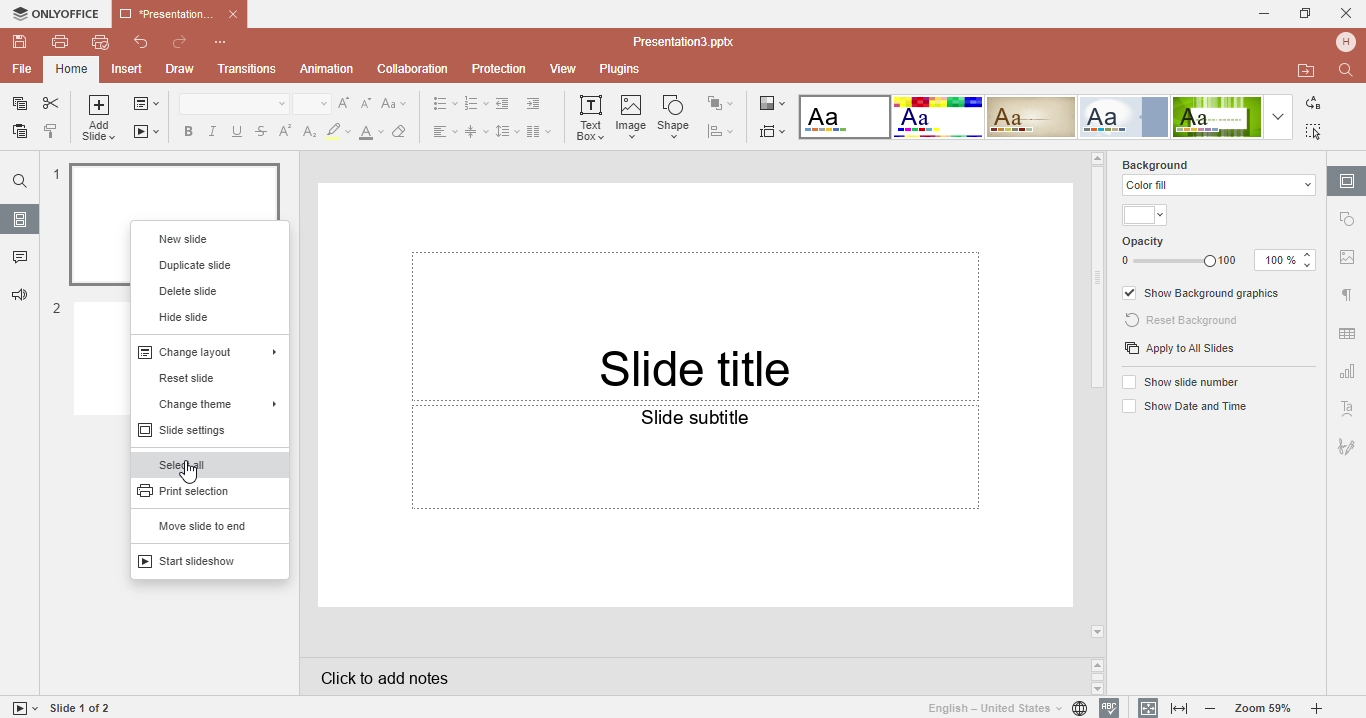 The height and width of the screenshot is (718, 1366). Describe the element at coordinates (771, 102) in the screenshot. I see `Change color theme` at that location.